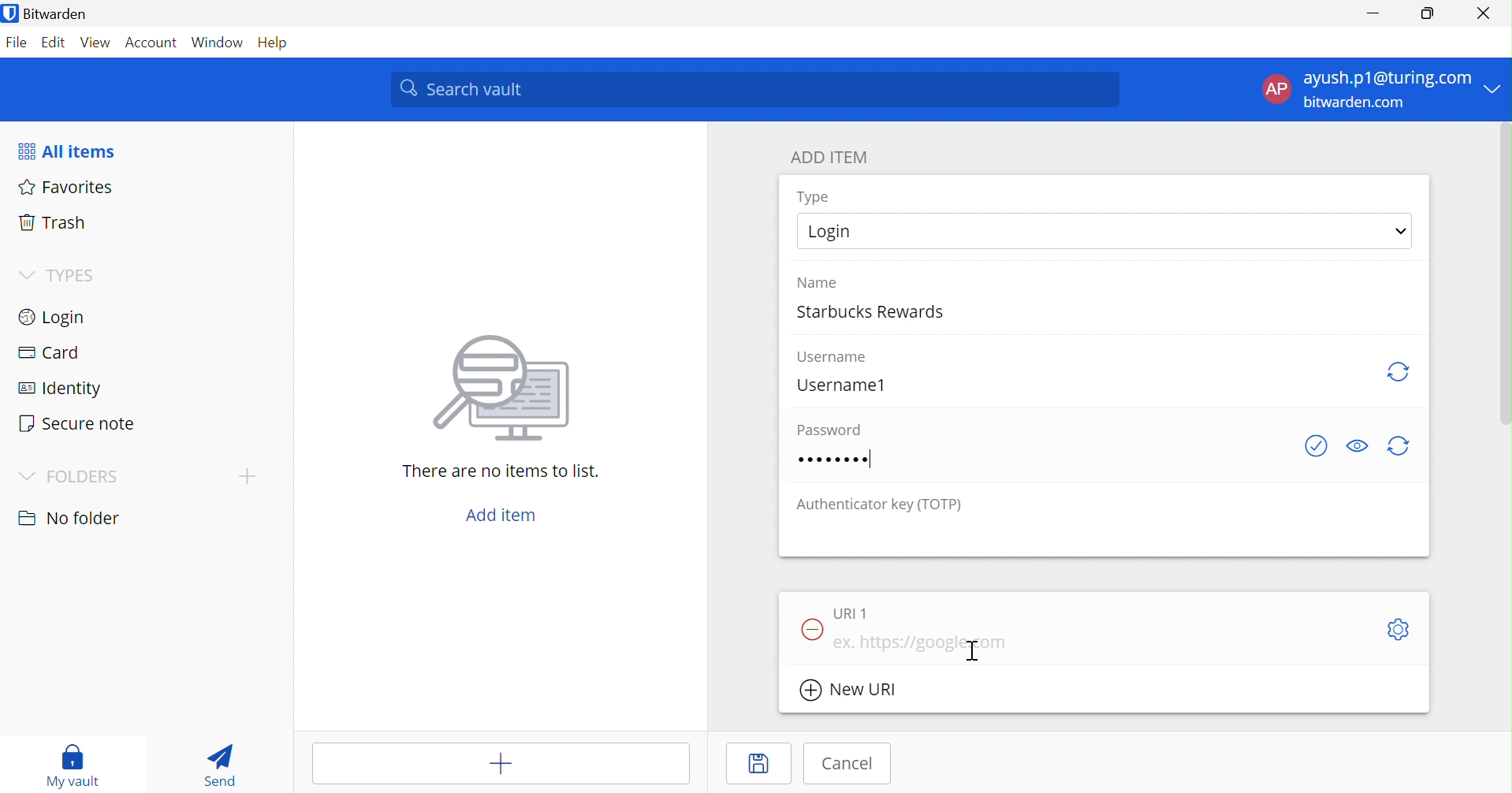 Image resolution: width=1512 pixels, height=793 pixels. I want to click on URI 1, so click(855, 613).